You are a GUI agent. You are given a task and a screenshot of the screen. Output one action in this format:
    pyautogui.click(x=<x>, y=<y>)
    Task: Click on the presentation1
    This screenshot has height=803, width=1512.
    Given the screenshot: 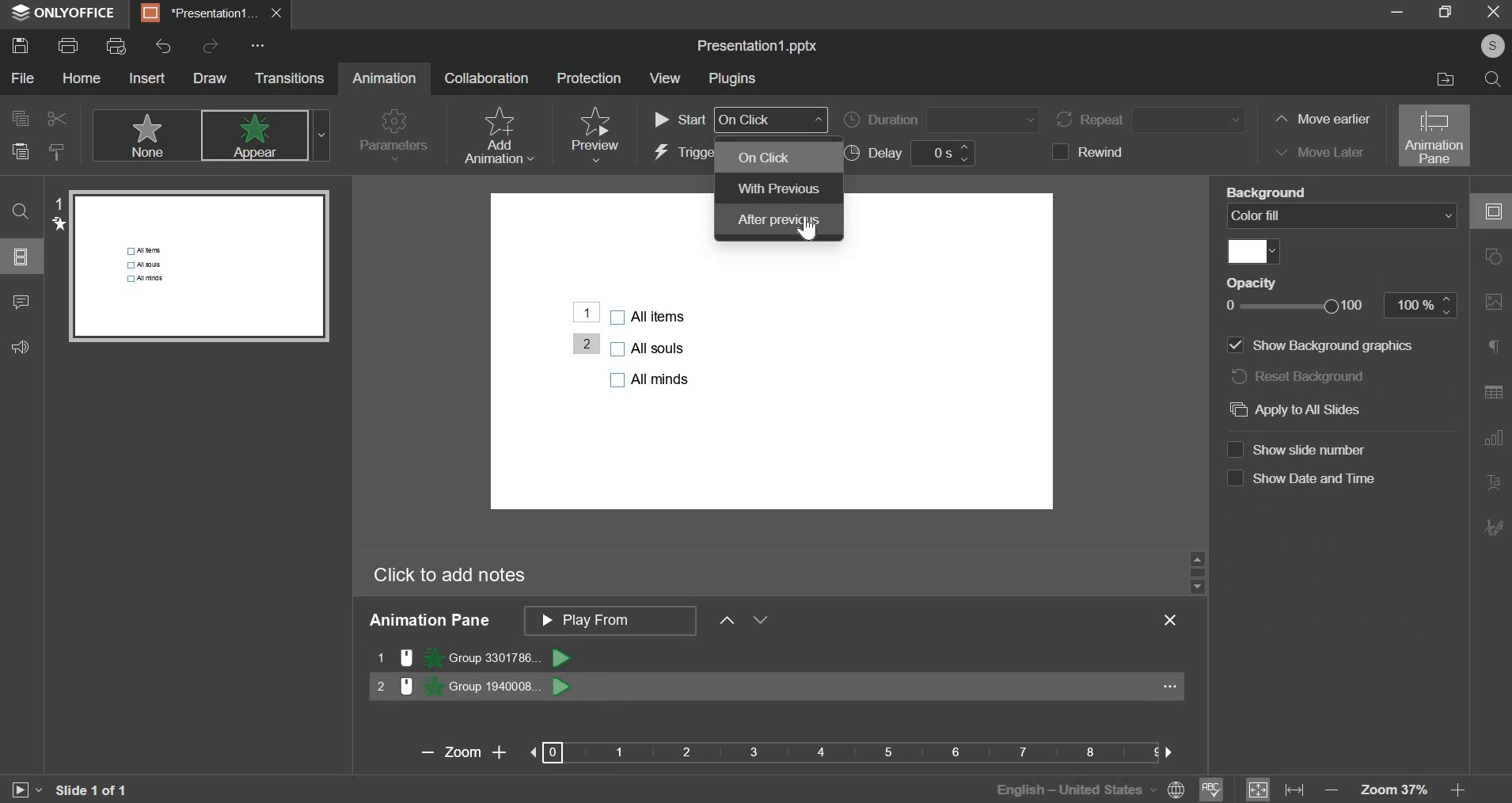 What is the action you would take?
    pyautogui.click(x=195, y=13)
    